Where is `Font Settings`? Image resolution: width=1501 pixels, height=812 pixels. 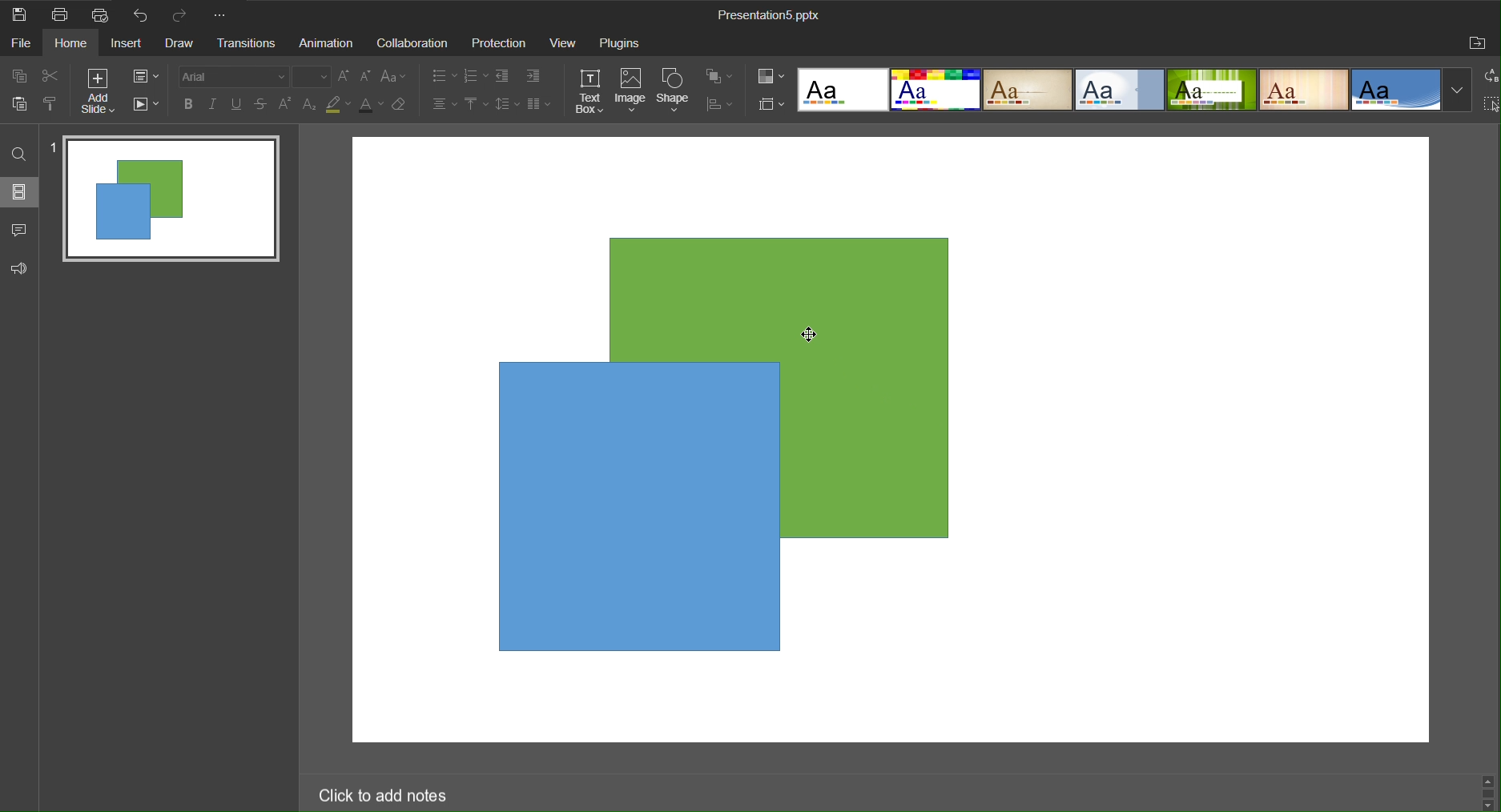
Font Settings is located at coordinates (256, 78).